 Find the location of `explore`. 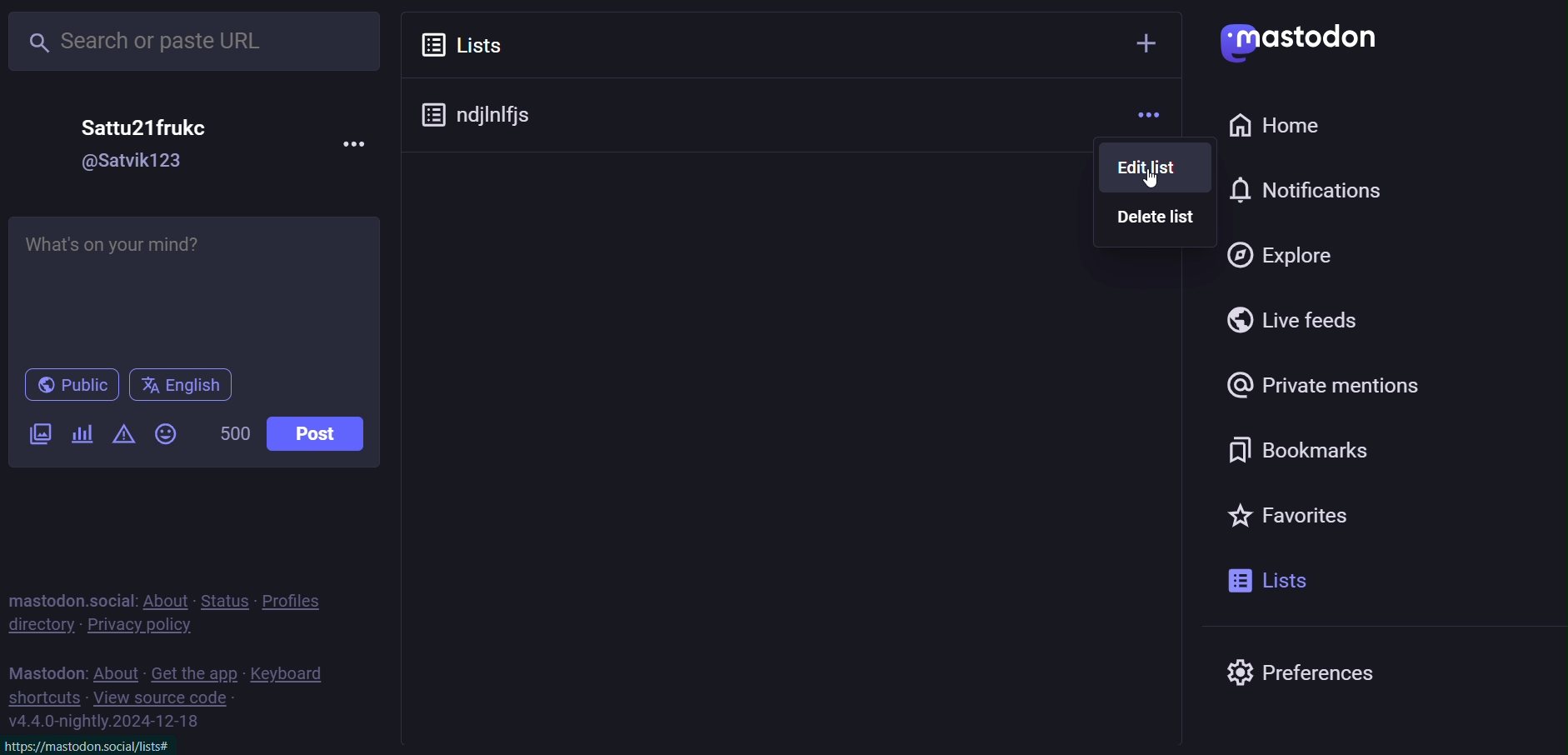

explore is located at coordinates (1278, 254).